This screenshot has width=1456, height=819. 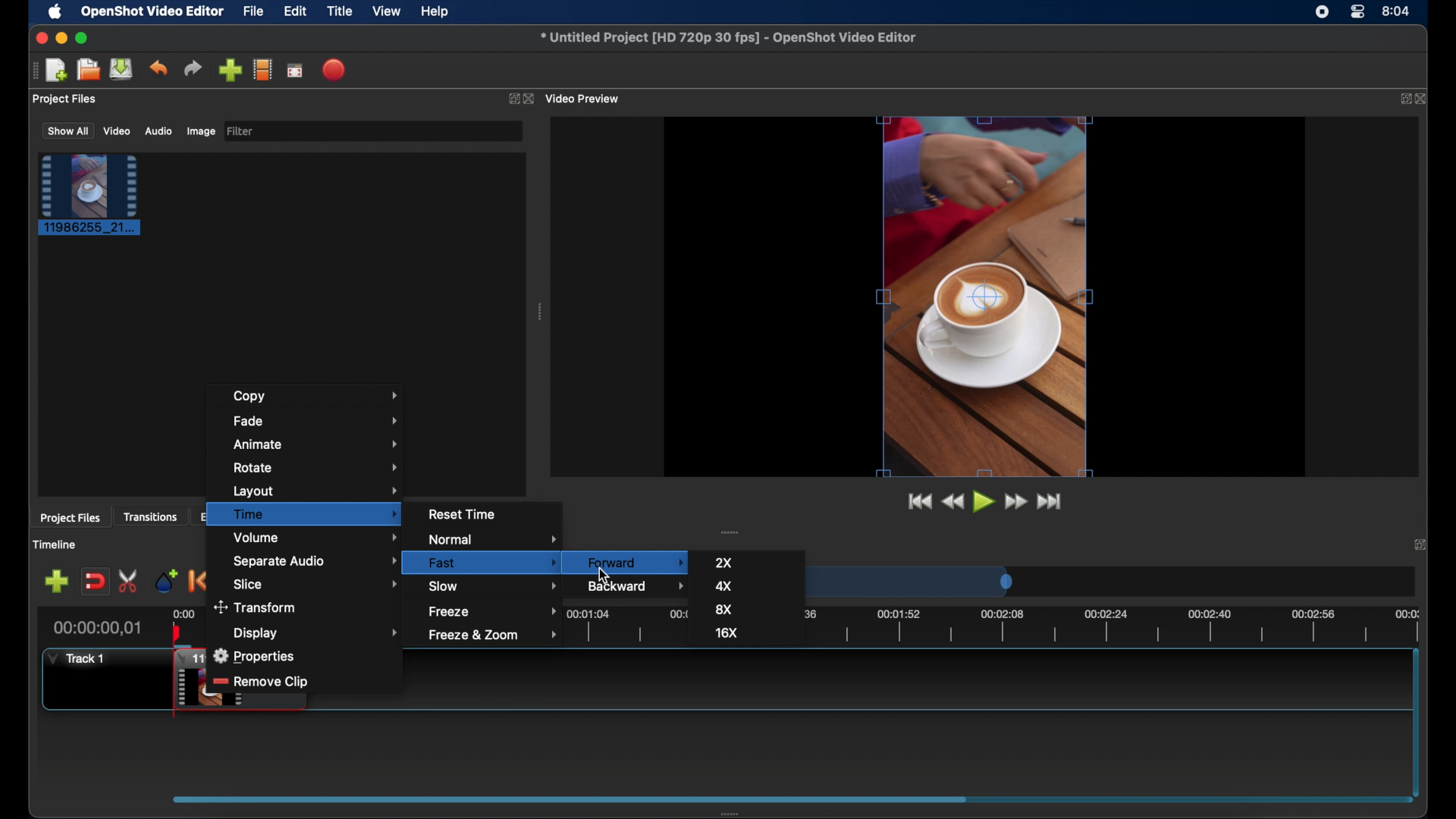 I want to click on animate menu, so click(x=316, y=444).